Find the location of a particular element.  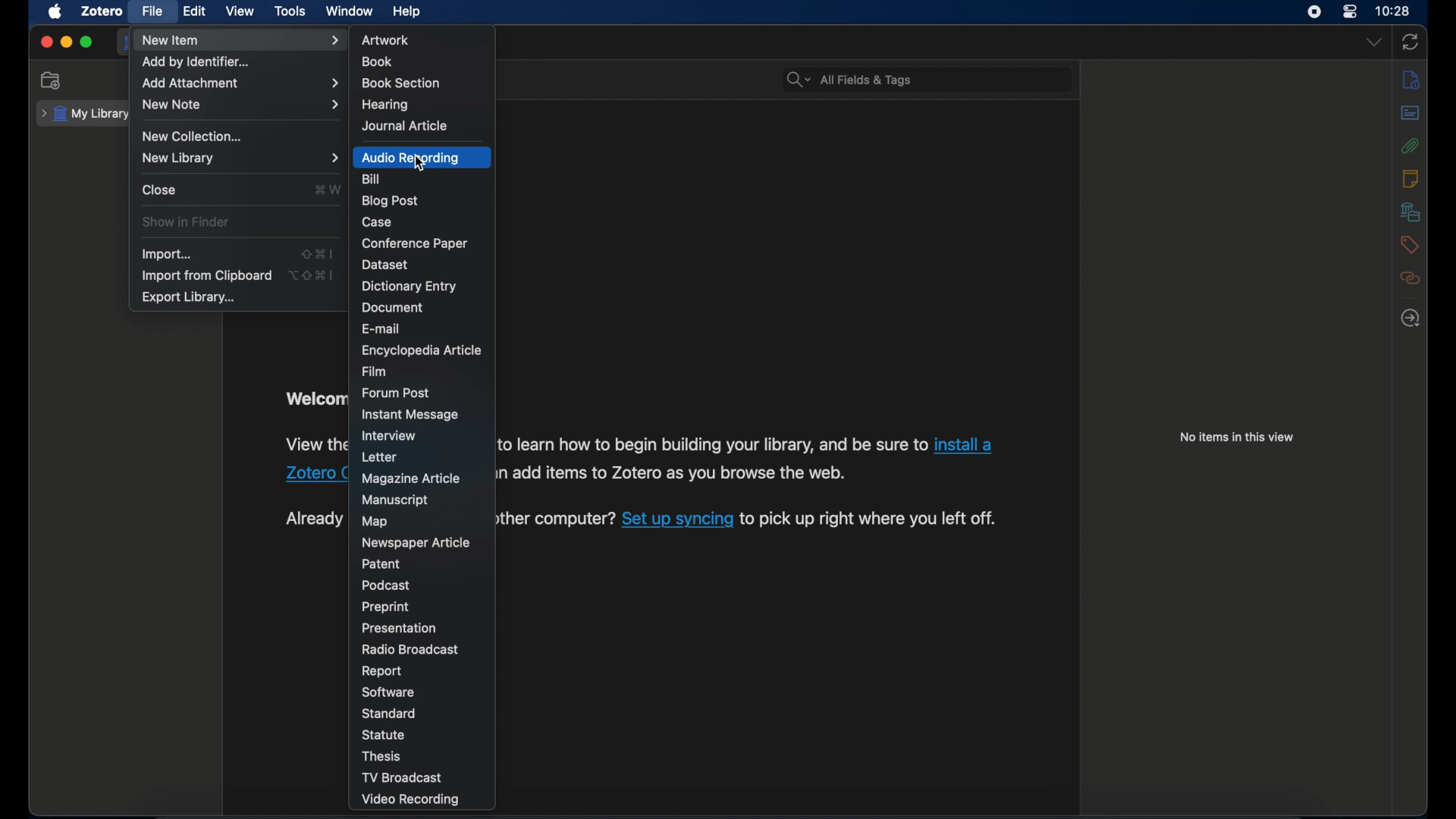

close is located at coordinates (45, 42).